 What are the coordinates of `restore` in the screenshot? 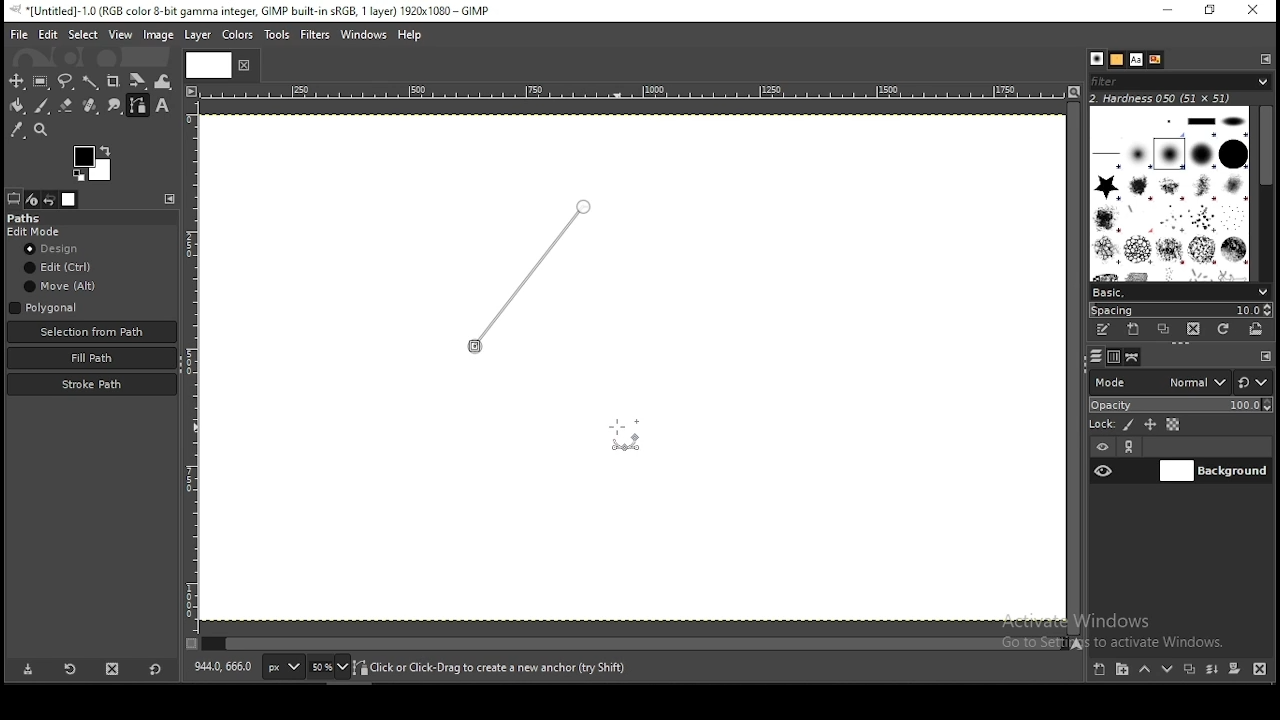 It's located at (1210, 11).